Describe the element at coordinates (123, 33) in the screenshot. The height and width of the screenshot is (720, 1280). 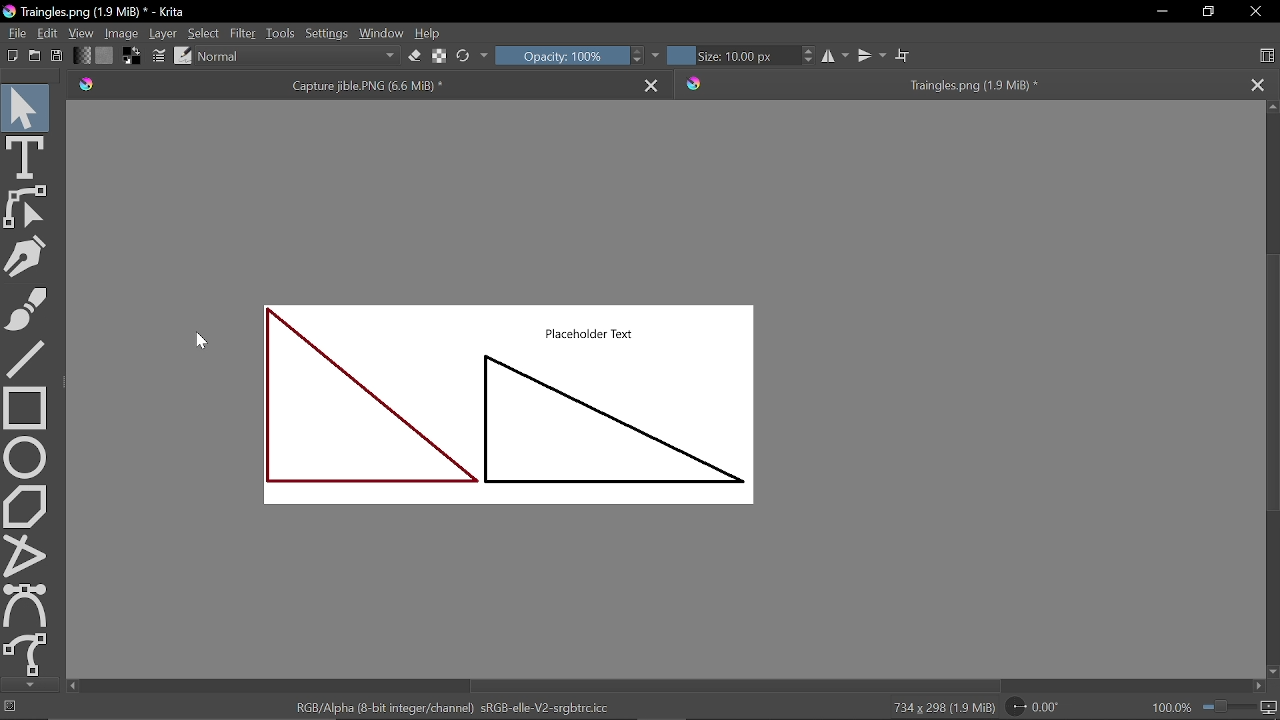
I see `Image` at that location.